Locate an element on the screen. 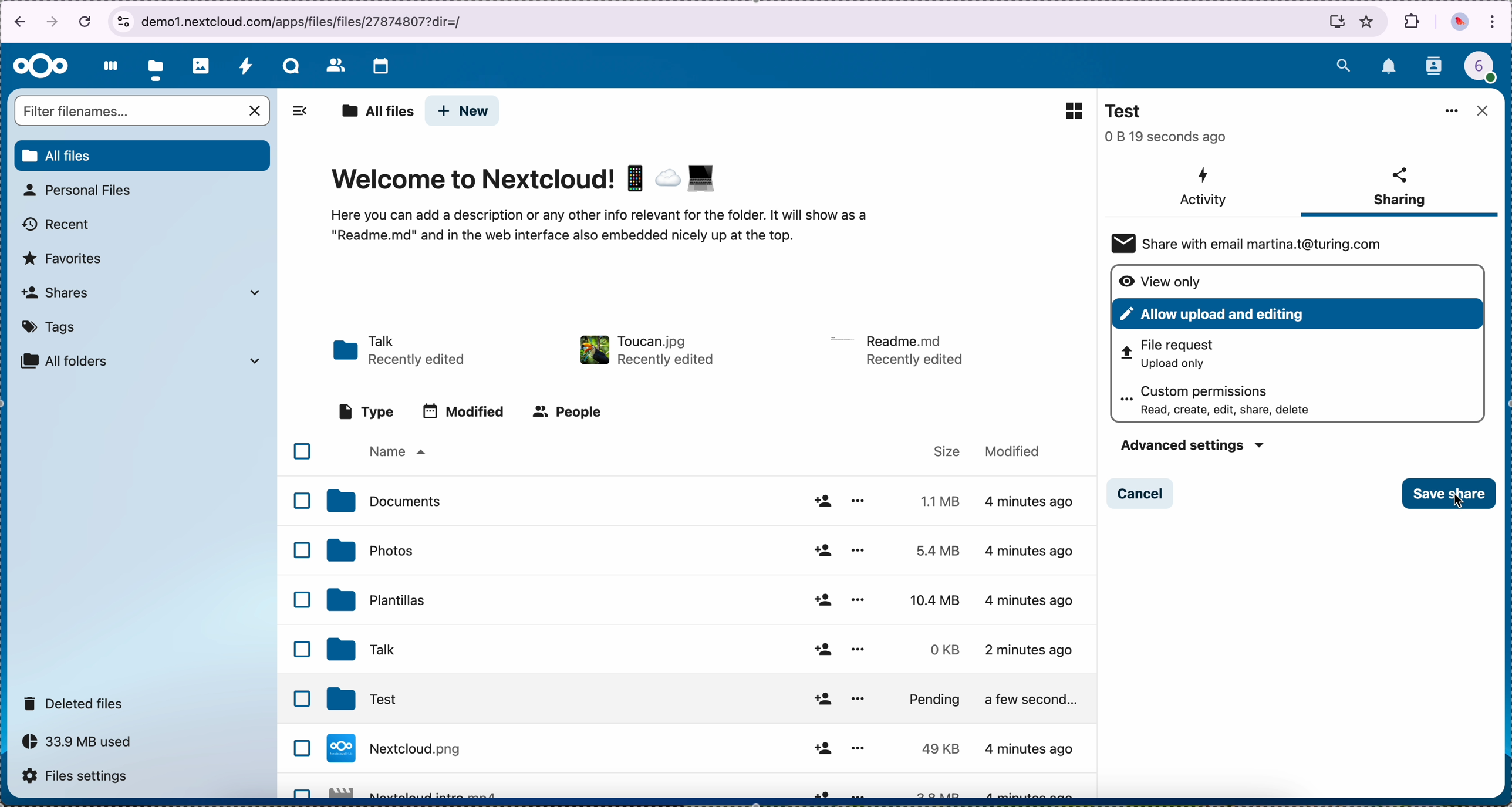 Image resolution: width=1512 pixels, height=807 pixels. Test is located at coordinates (1129, 112).